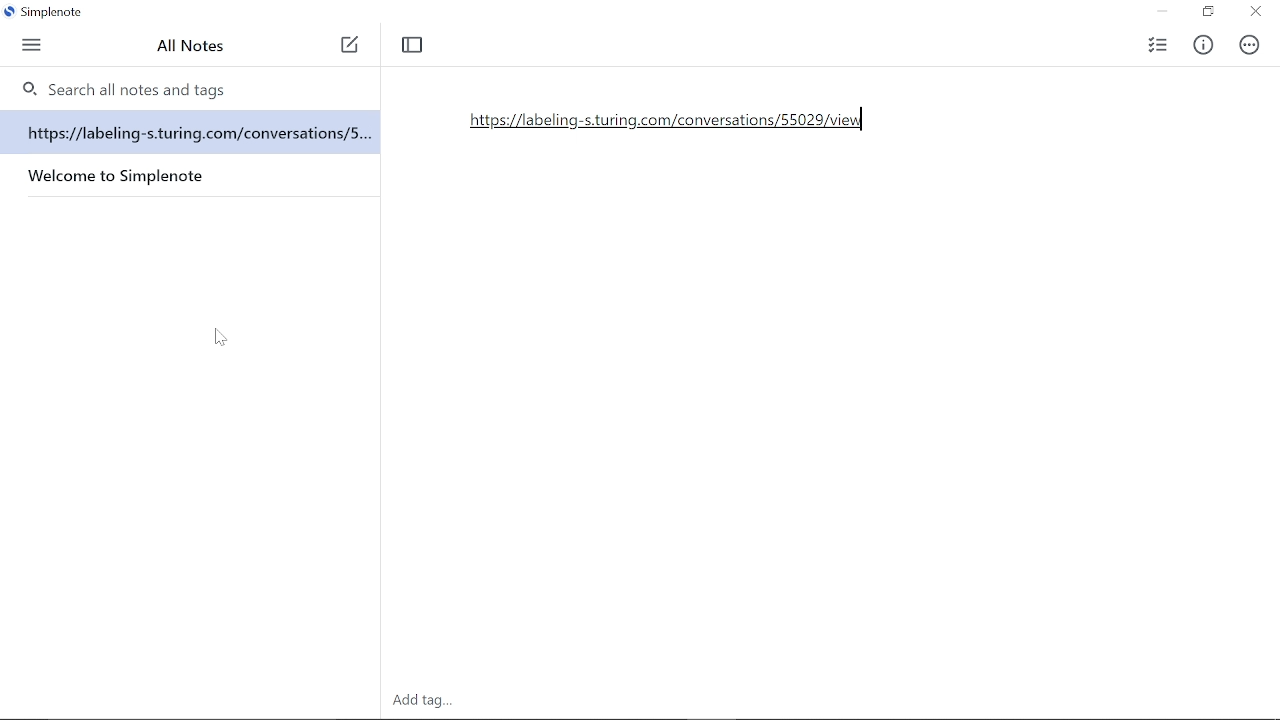 The image size is (1280, 720). What do you see at coordinates (137, 176) in the screenshot?
I see `Welcome to Simplenote` at bounding box center [137, 176].